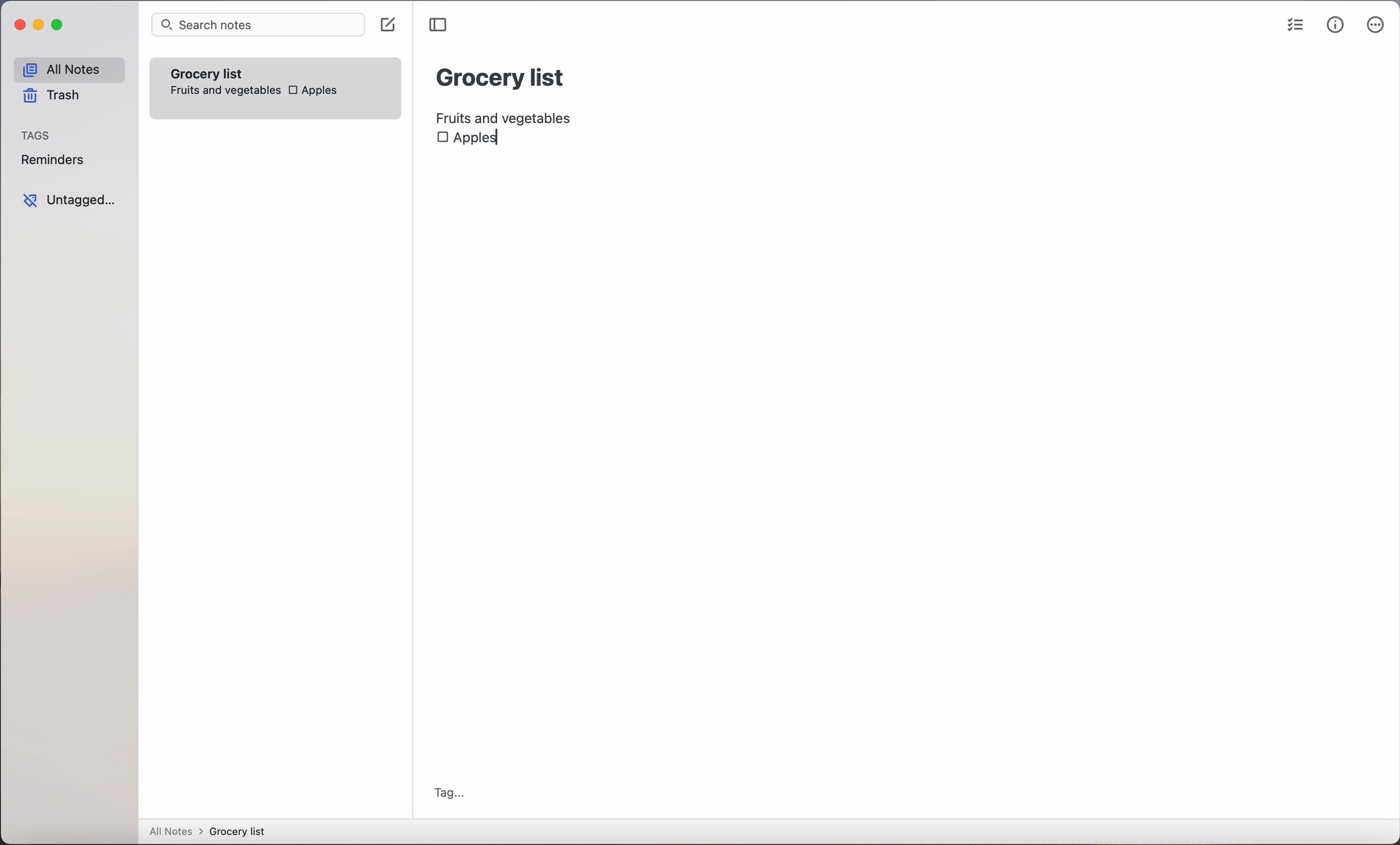 This screenshot has height=845, width=1400. Describe the element at coordinates (257, 26) in the screenshot. I see `search bar` at that location.